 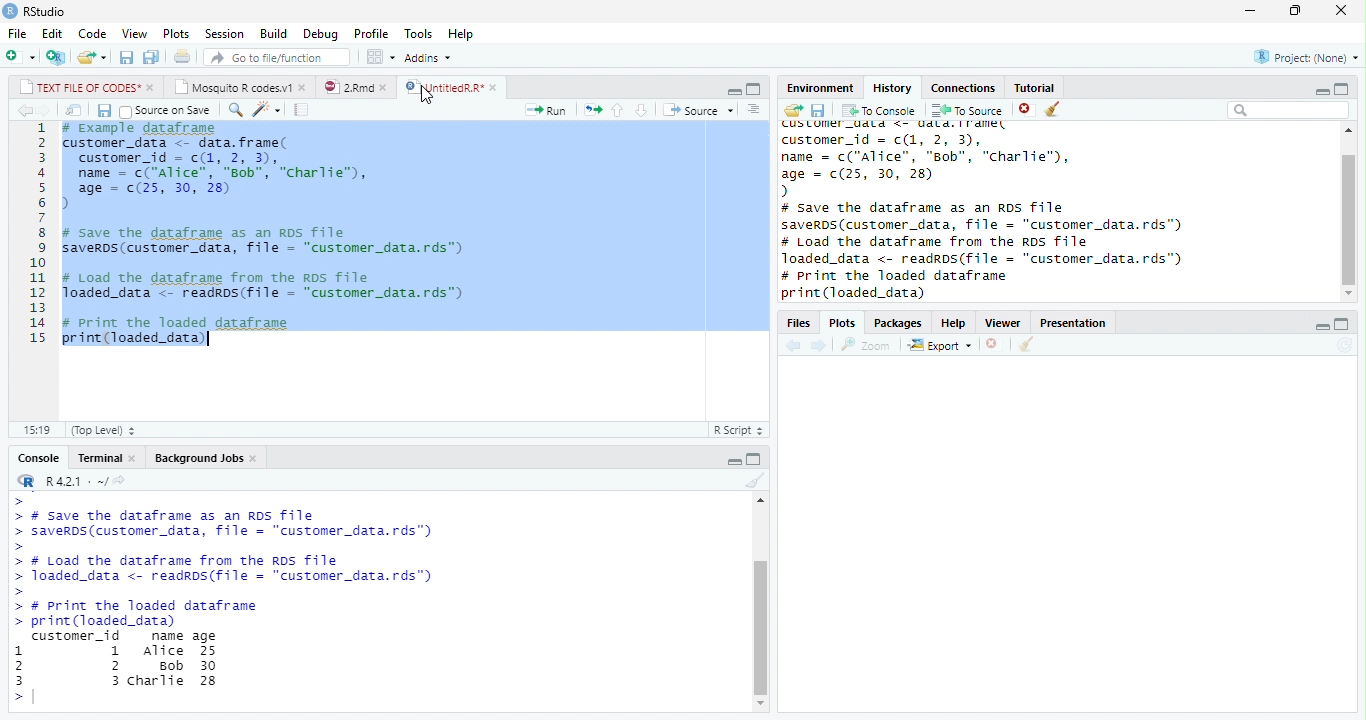 I want to click on To Console, so click(x=878, y=110).